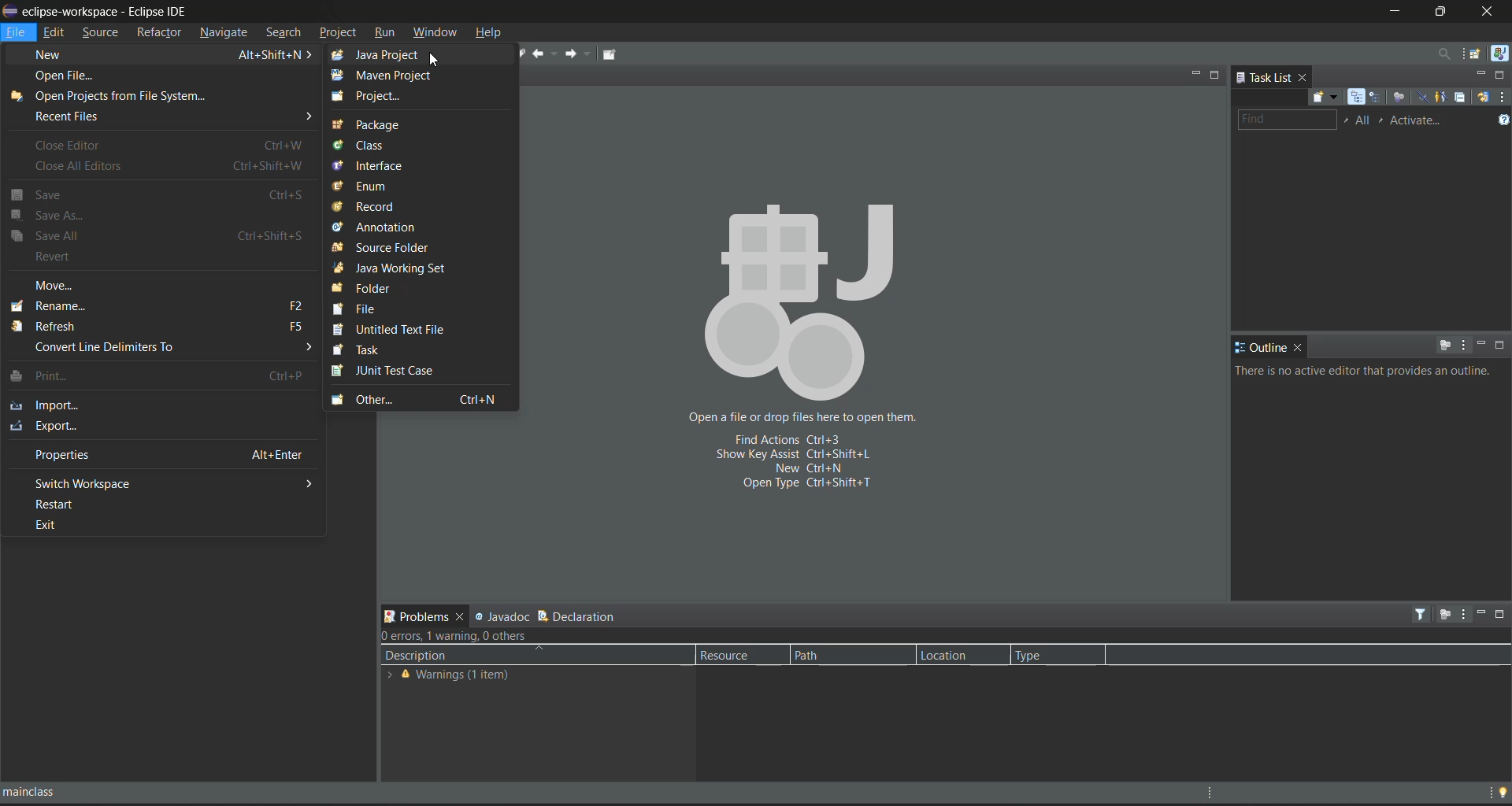 This screenshot has height=806, width=1512. What do you see at coordinates (102, 31) in the screenshot?
I see `source` at bounding box center [102, 31].